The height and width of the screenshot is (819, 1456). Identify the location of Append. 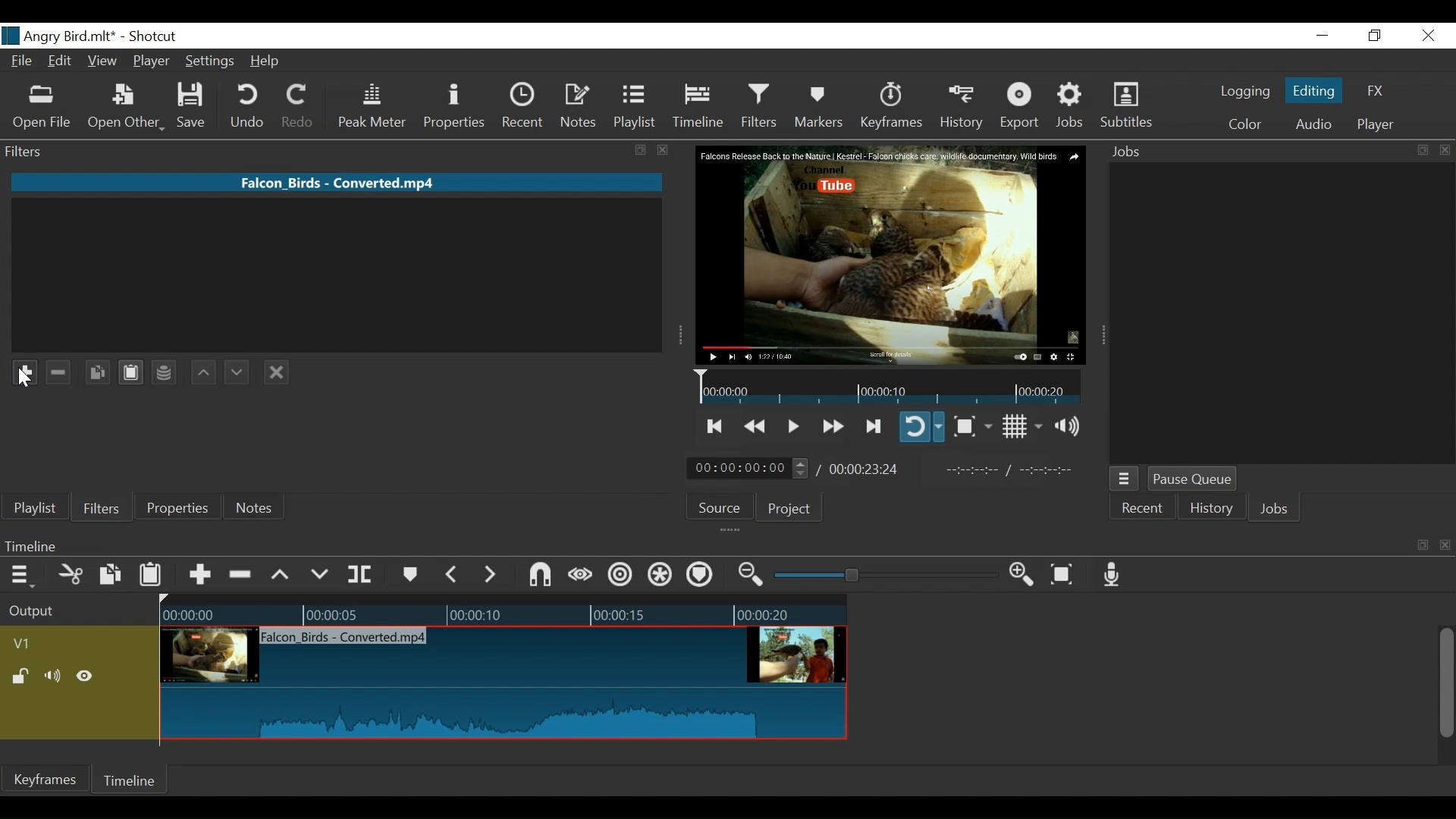
(199, 577).